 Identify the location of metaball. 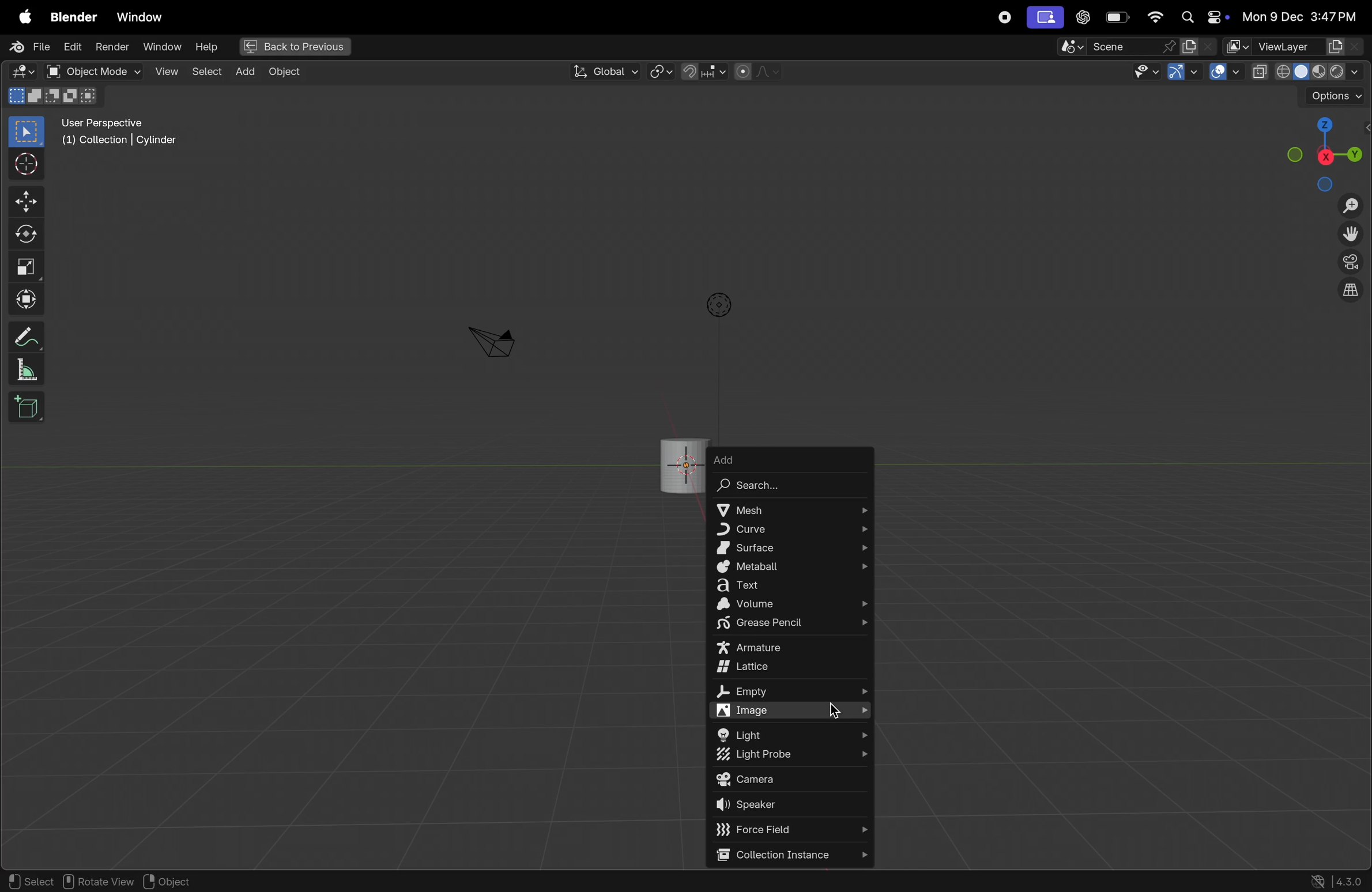
(793, 568).